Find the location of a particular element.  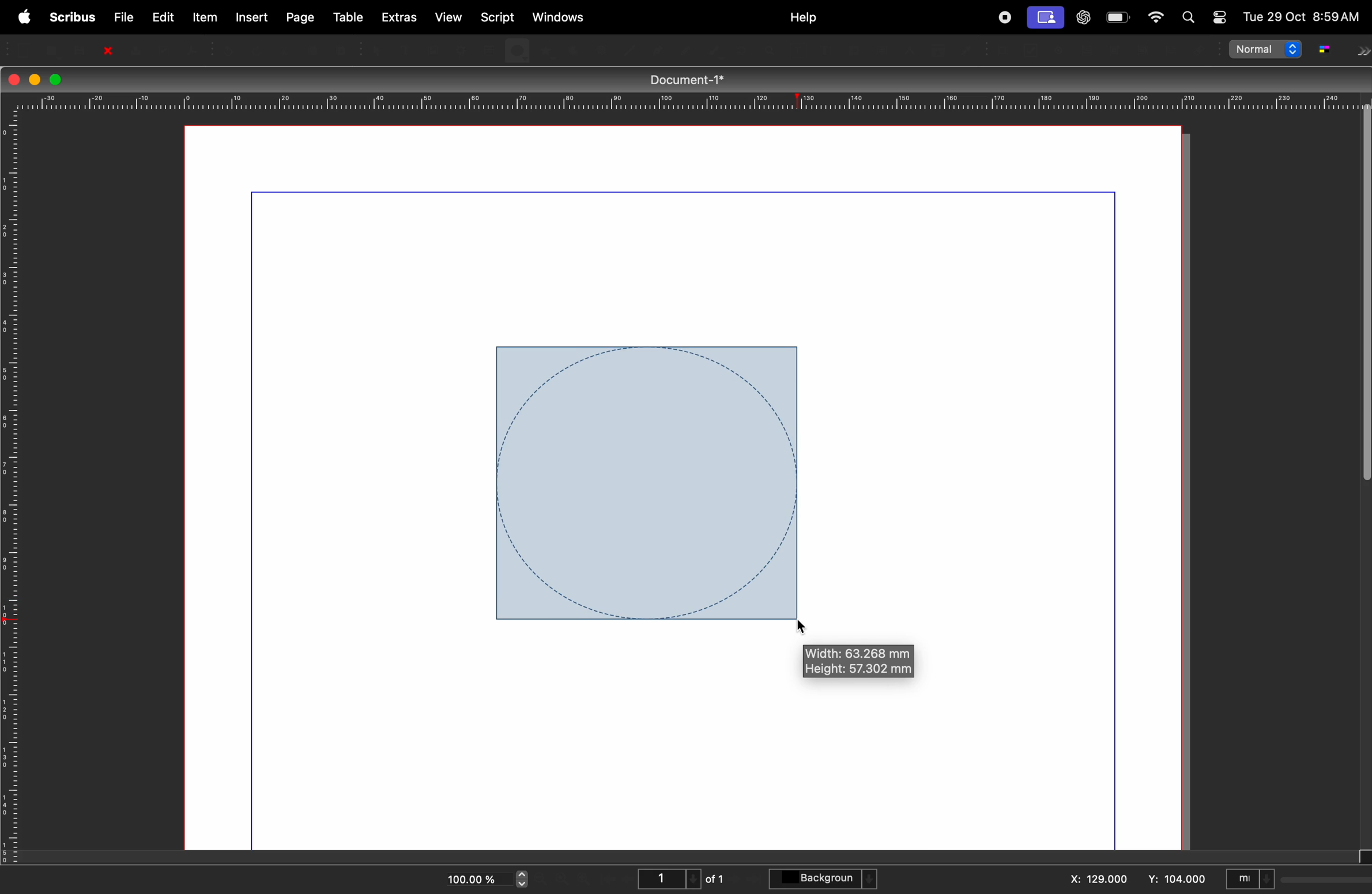

circle is located at coordinates (645, 484).